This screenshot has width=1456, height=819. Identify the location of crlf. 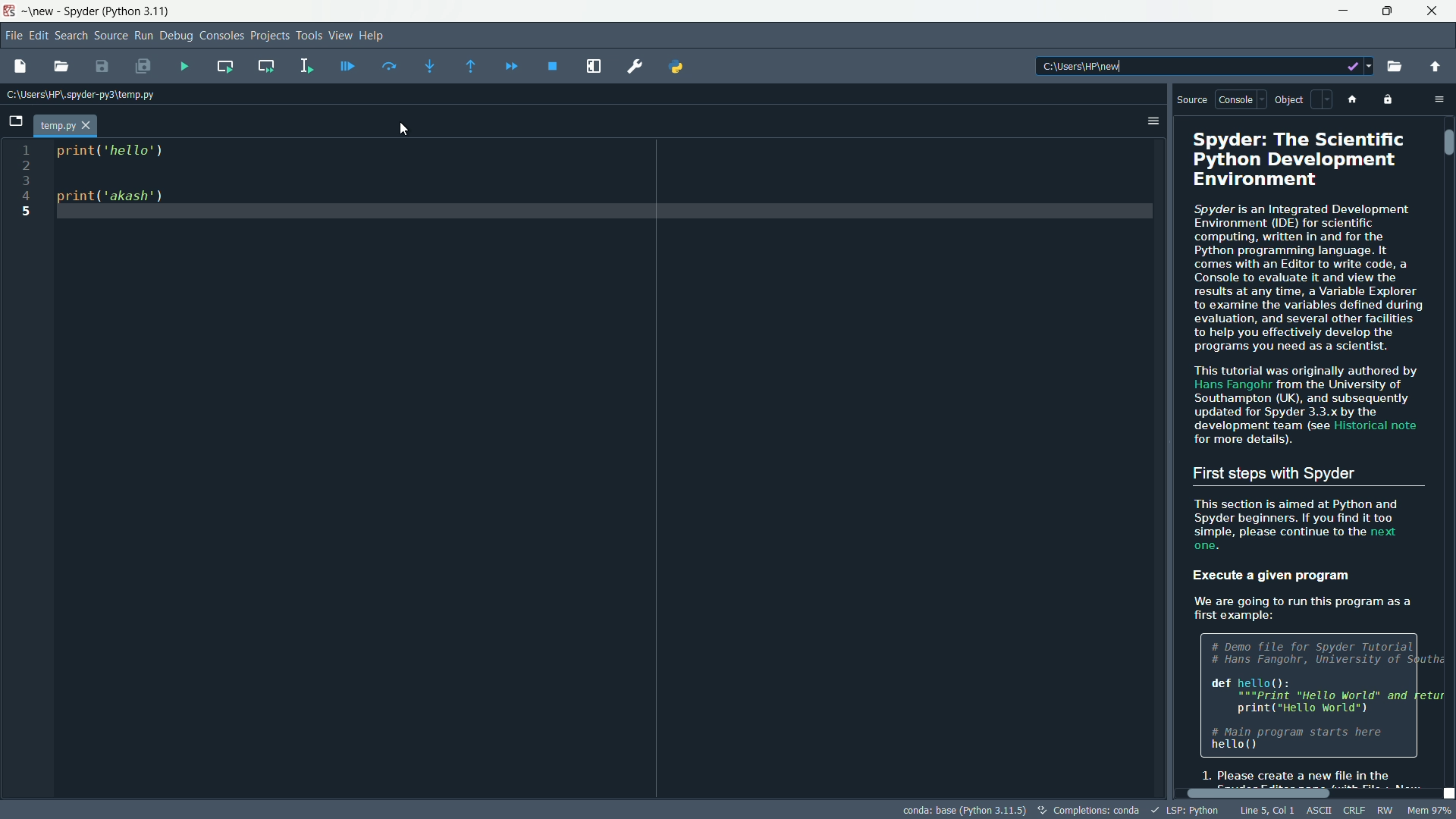
(1354, 810).